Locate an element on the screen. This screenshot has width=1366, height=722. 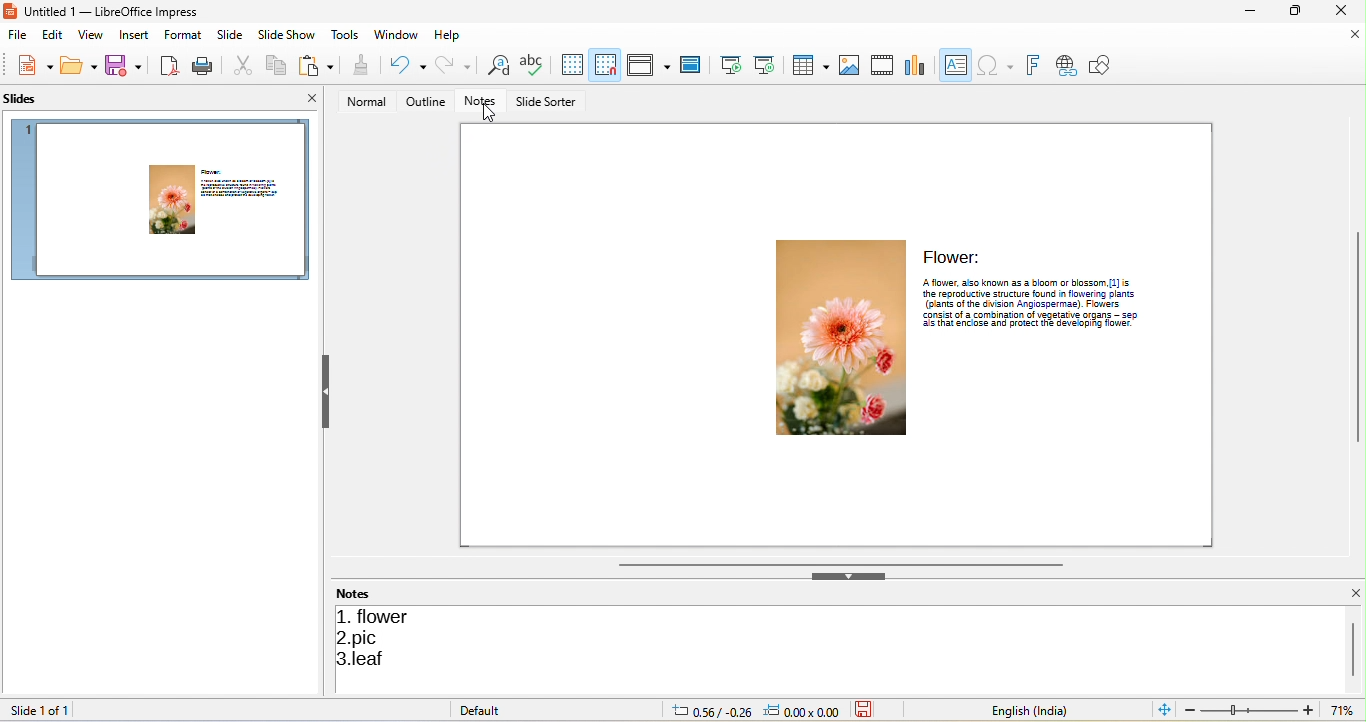
normal is located at coordinates (366, 101).